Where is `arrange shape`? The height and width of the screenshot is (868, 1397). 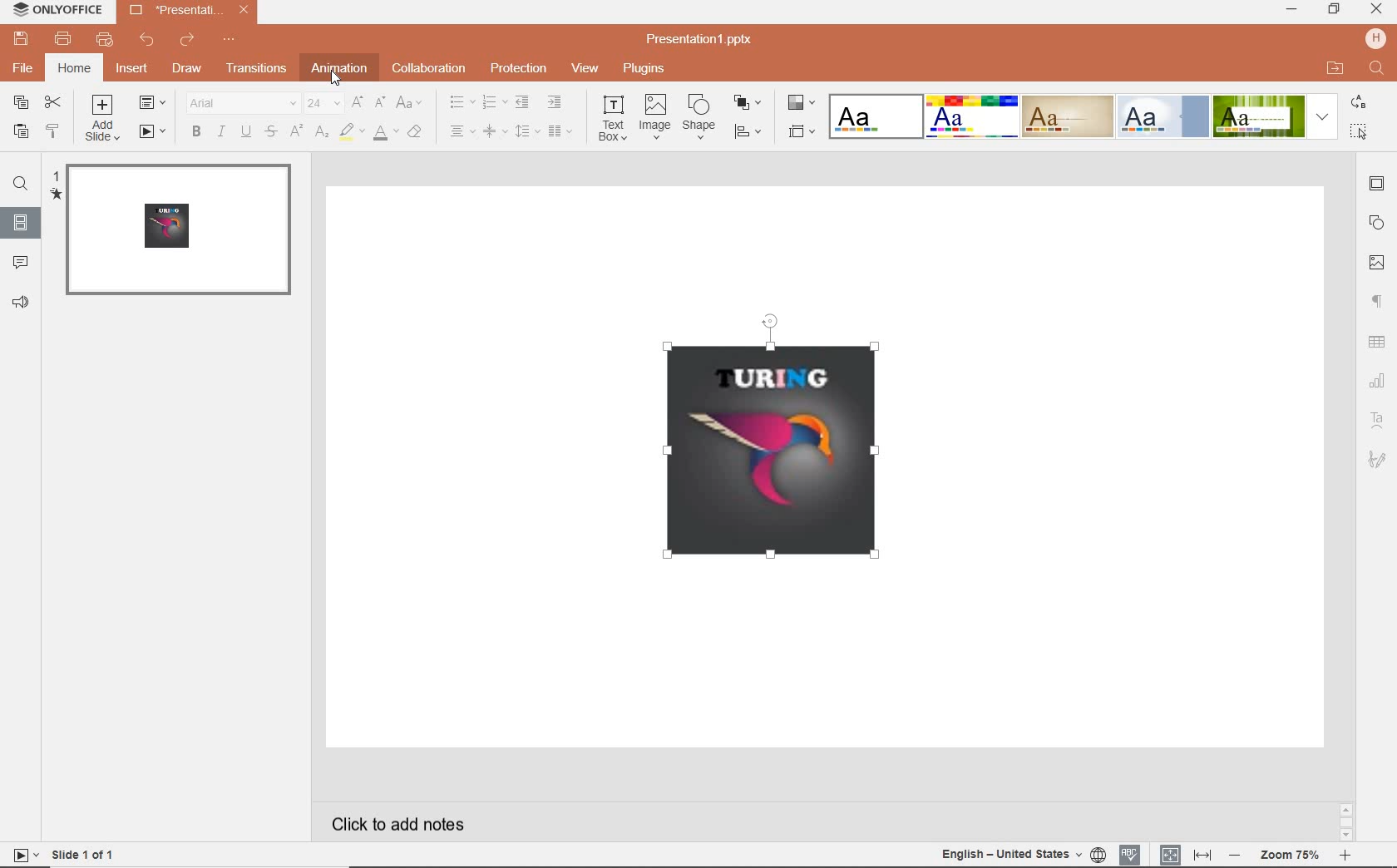
arrange shape is located at coordinates (746, 102).